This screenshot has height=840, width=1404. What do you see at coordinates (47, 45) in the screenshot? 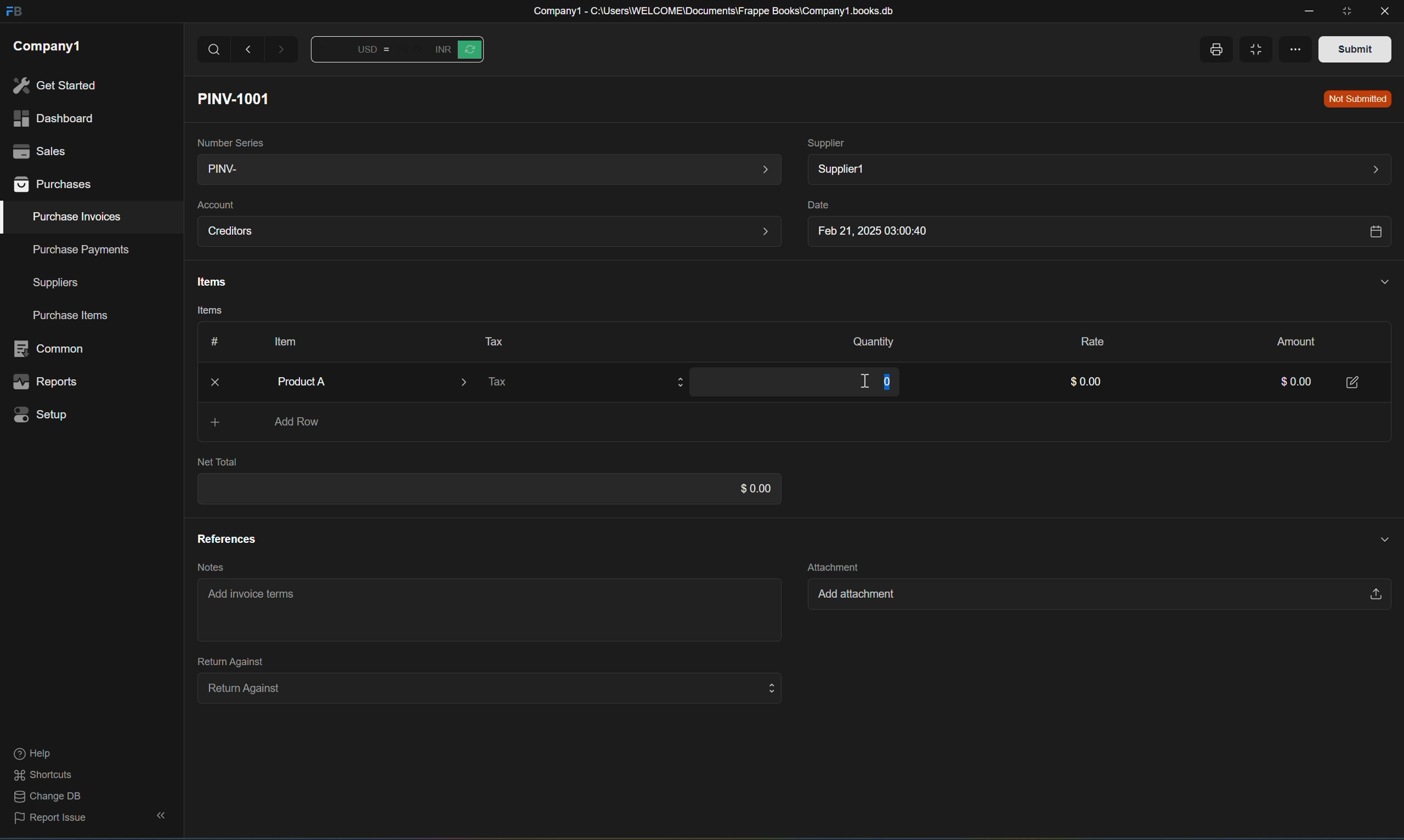
I see `company1` at bounding box center [47, 45].